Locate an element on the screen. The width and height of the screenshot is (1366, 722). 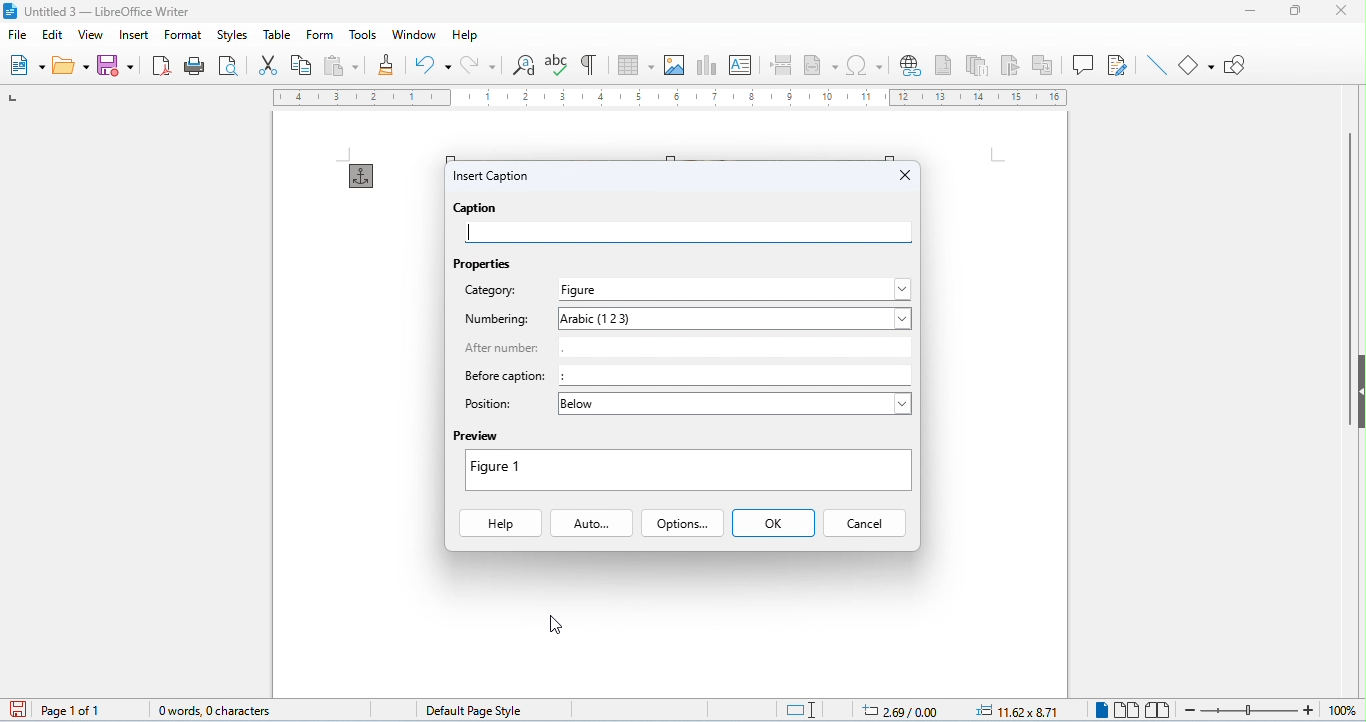
ok is located at coordinates (774, 522).